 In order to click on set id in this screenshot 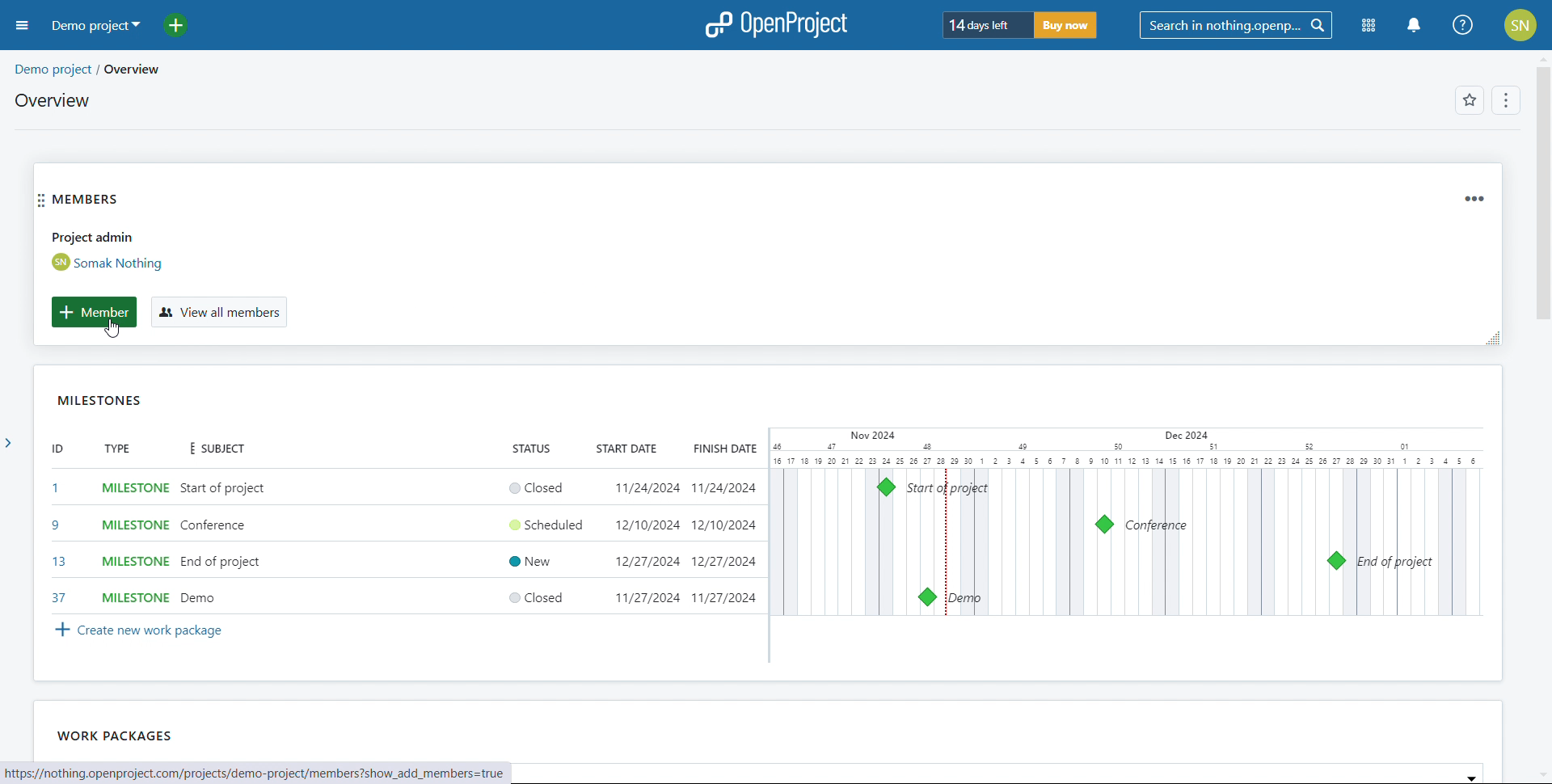, I will do `click(56, 487)`.